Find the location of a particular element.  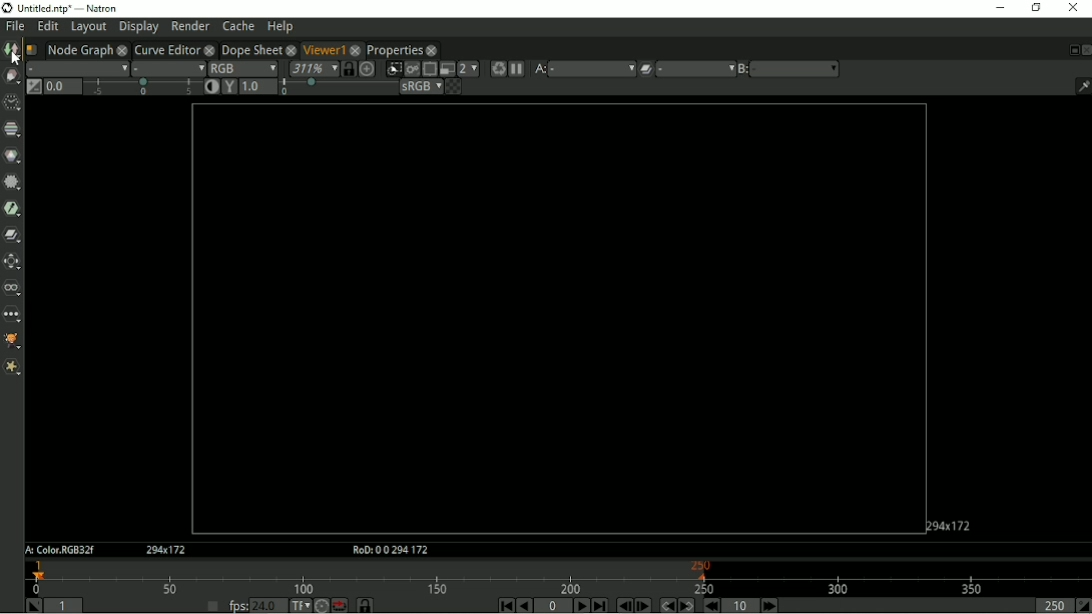

Properties is located at coordinates (395, 50).